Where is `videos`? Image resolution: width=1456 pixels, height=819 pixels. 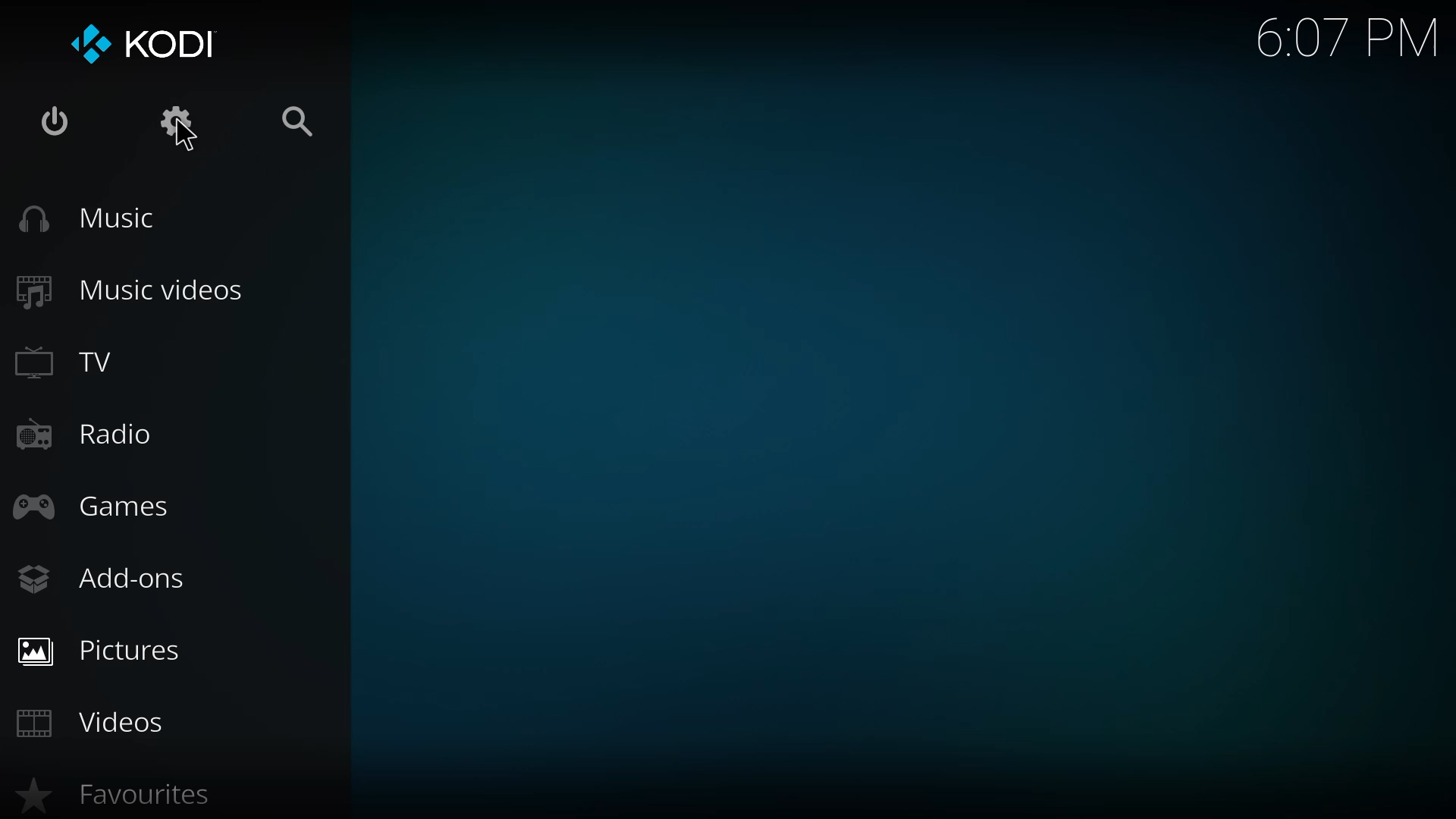
videos is located at coordinates (94, 720).